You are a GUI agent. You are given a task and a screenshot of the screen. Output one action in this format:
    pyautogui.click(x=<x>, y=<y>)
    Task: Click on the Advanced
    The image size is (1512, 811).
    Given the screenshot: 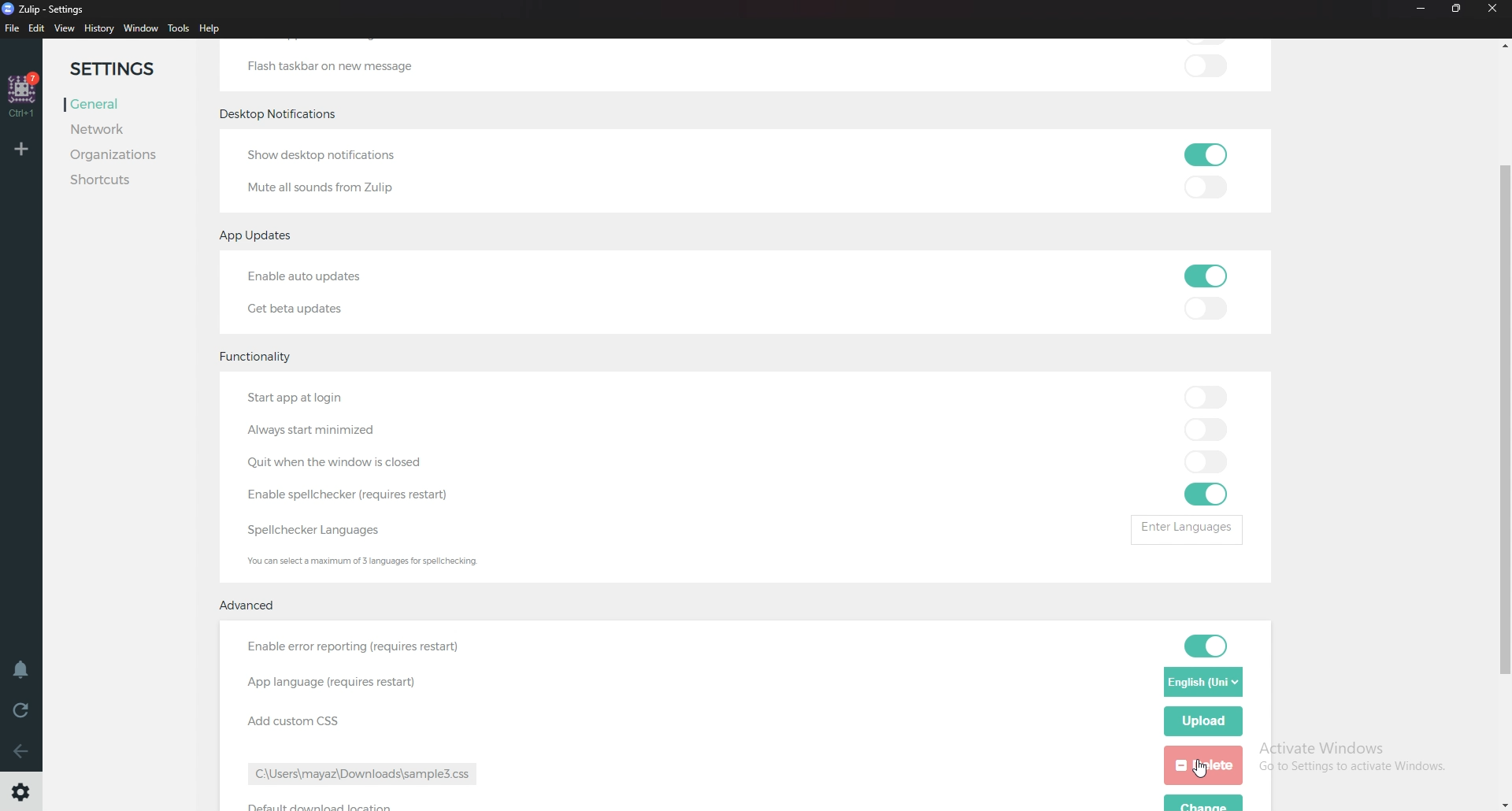 What is the action you would take?
    pyautogui.click(x=252, y=603)
    